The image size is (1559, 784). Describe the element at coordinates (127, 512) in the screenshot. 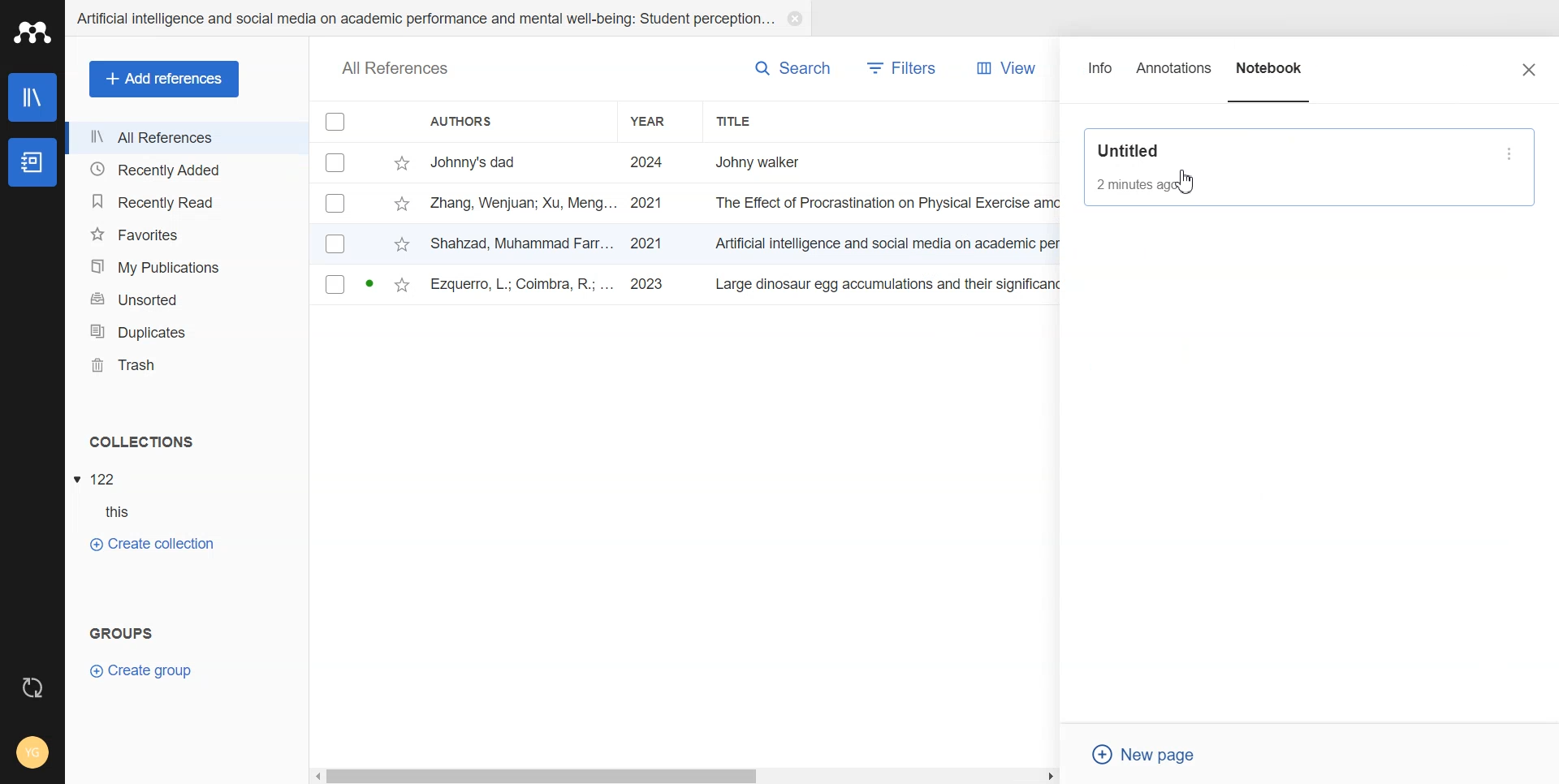

I see `this` at that location.